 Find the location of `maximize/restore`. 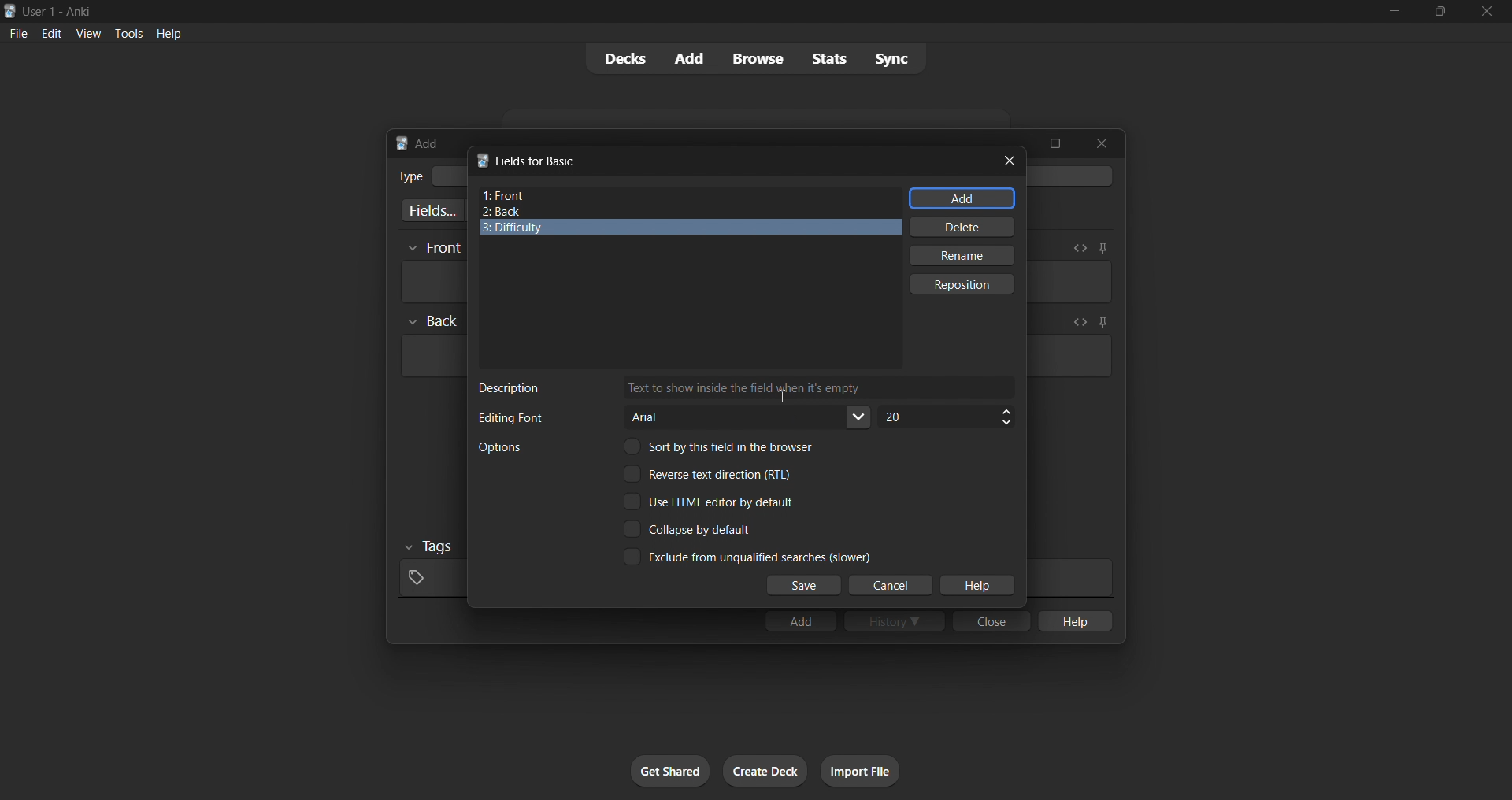

maximize/restore is located at coordinates (1440, 12).